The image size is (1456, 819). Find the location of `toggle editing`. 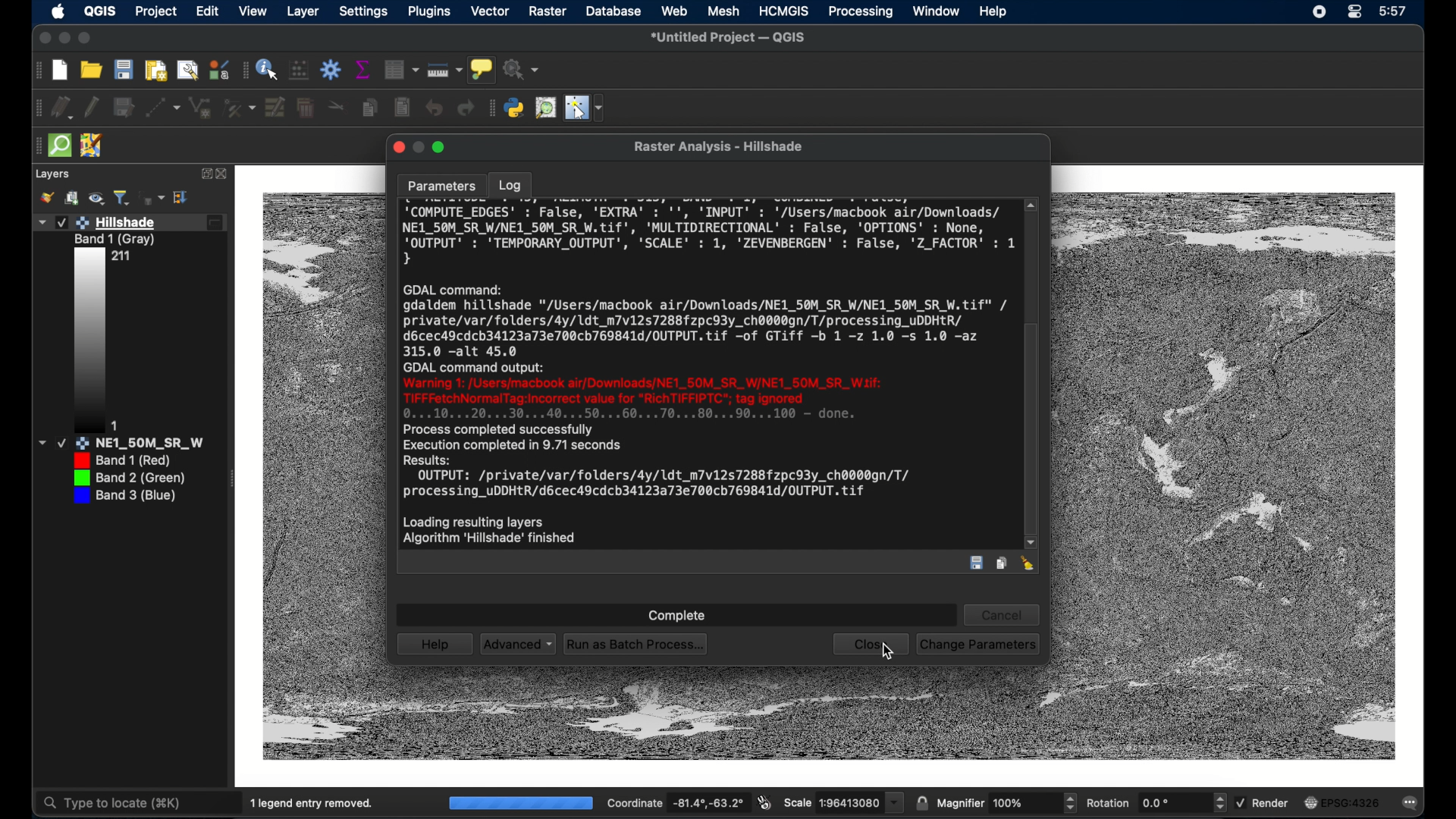

toggle editing is located at coordinates (92, 107).